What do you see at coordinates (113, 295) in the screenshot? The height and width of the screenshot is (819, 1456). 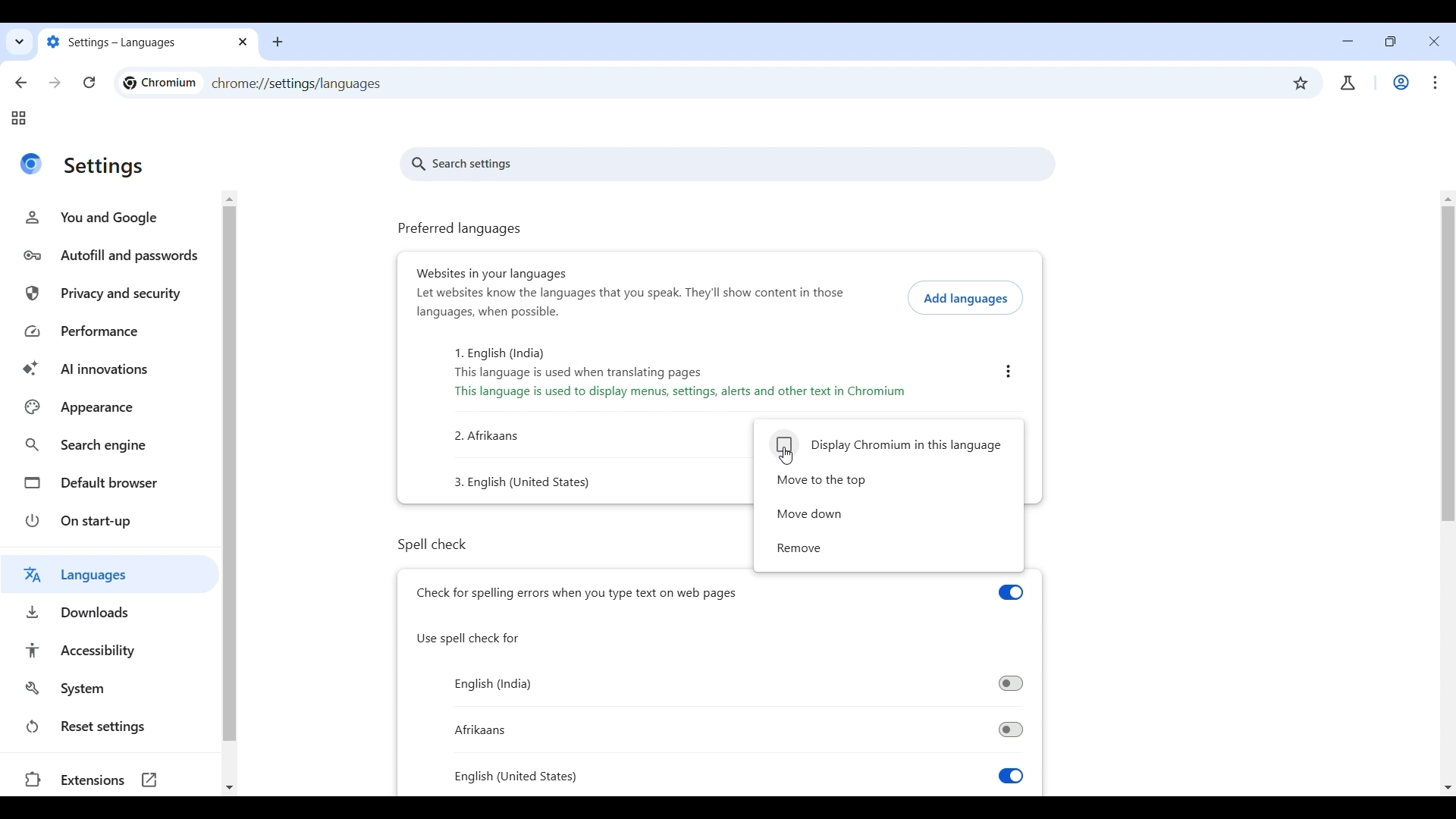 I see `Privacy and security` at bounding box center [113, 295].